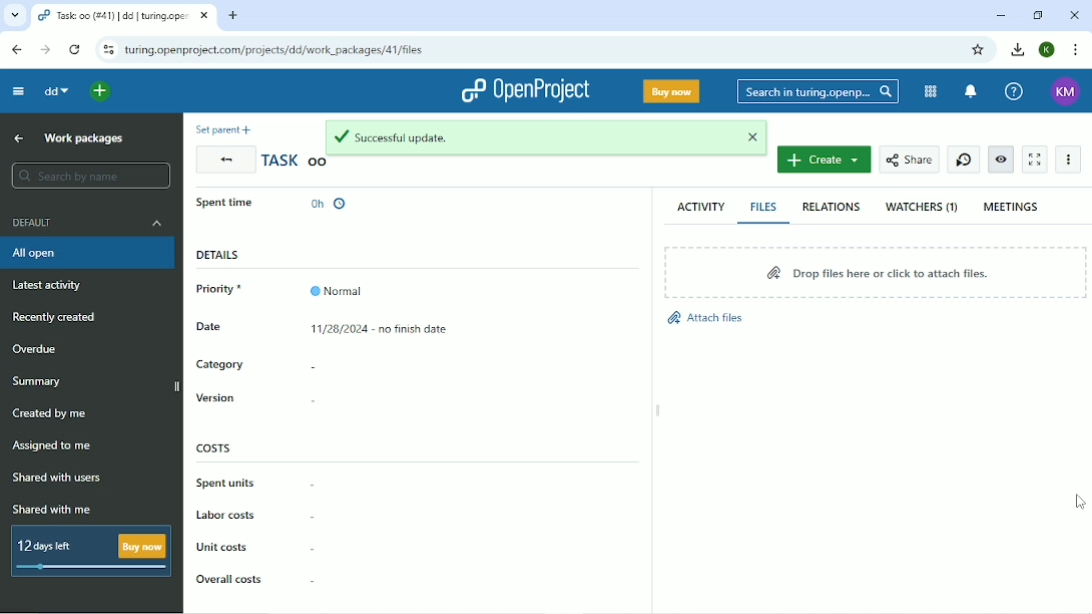 This screenshot has width=1092, height=614. Describe the element at coordinates (56, 91) in the screenshot. I see `dd` at that location.